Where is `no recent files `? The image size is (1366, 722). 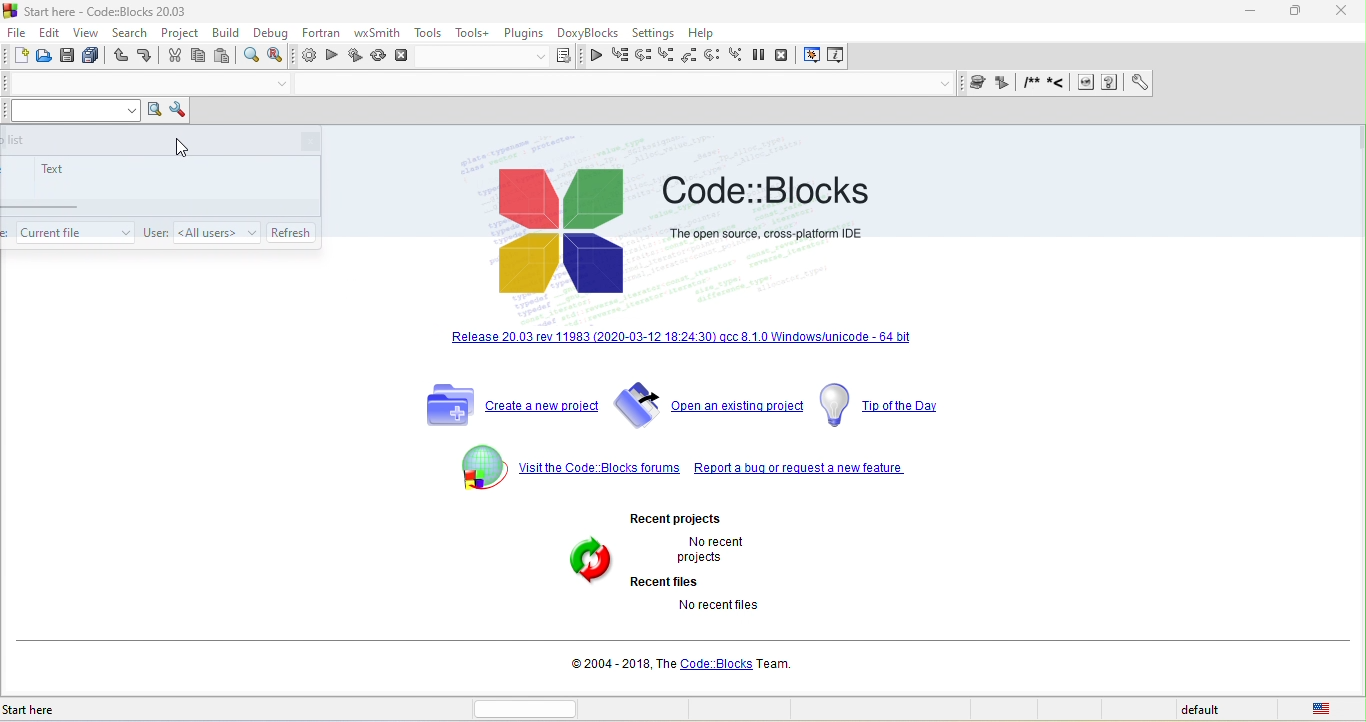 no recent files  is located at coordinates (741, 615).